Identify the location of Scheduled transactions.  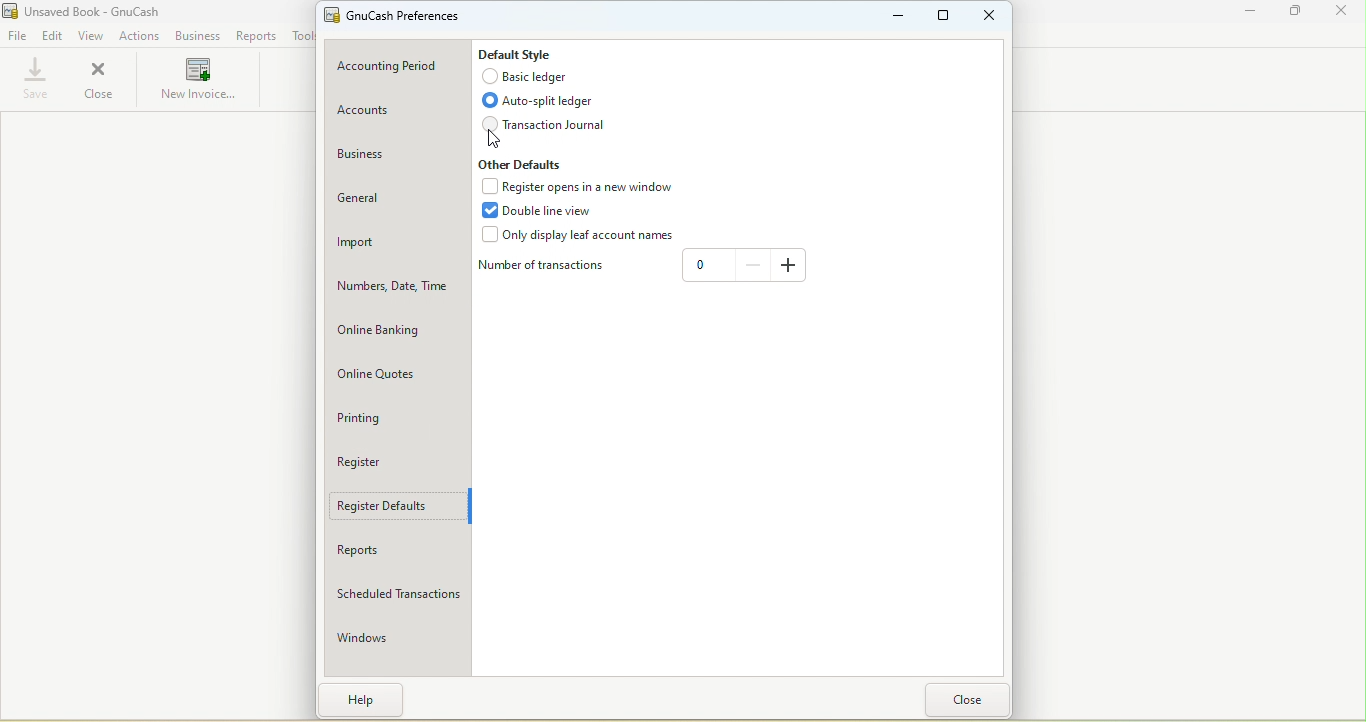
(396, 598).